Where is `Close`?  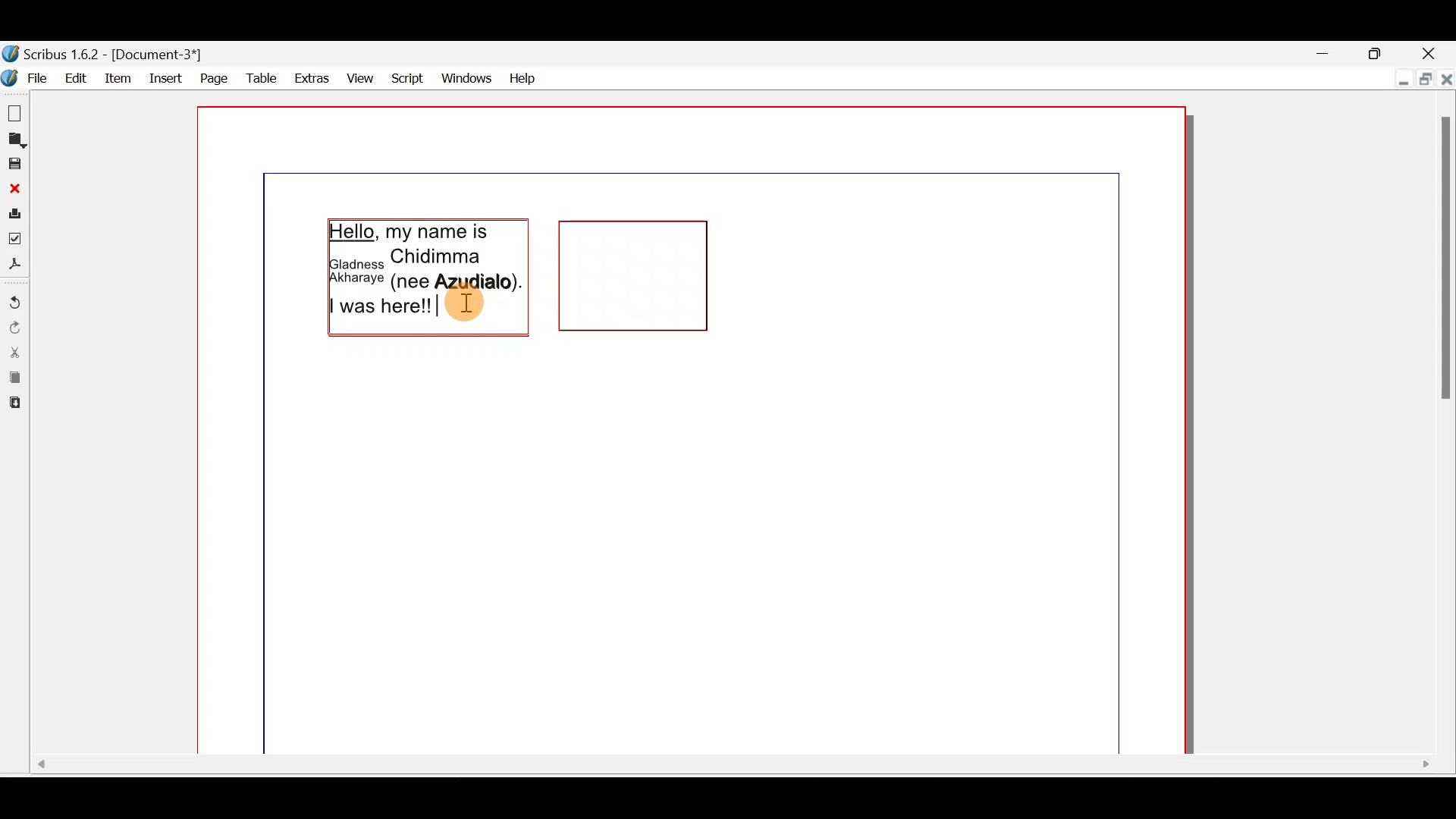
Close is located at coordinates (1429, 52).